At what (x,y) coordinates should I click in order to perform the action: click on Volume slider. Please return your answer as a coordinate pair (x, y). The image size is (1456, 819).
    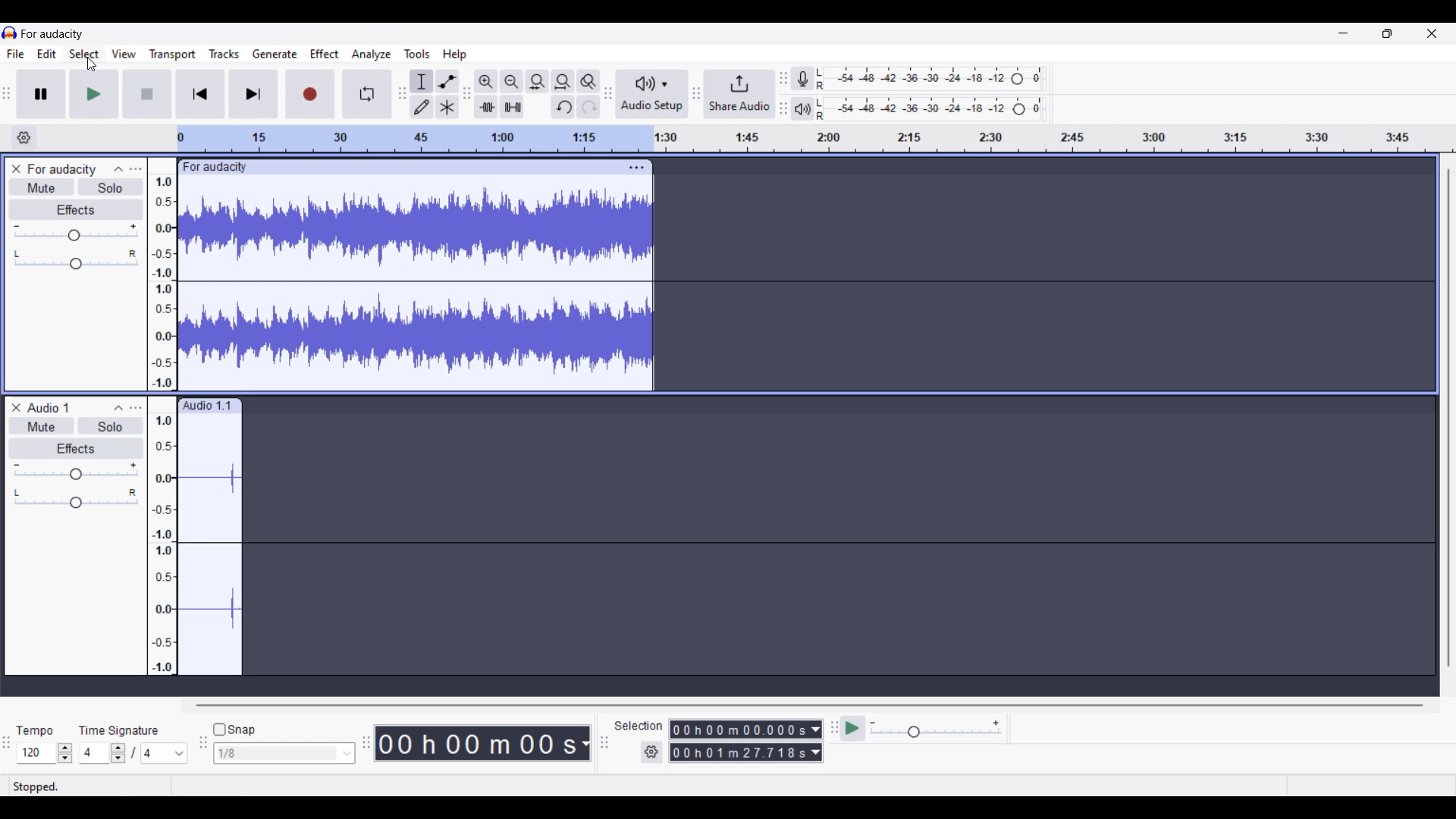
    Looking at the image, I should click on (76, 232).